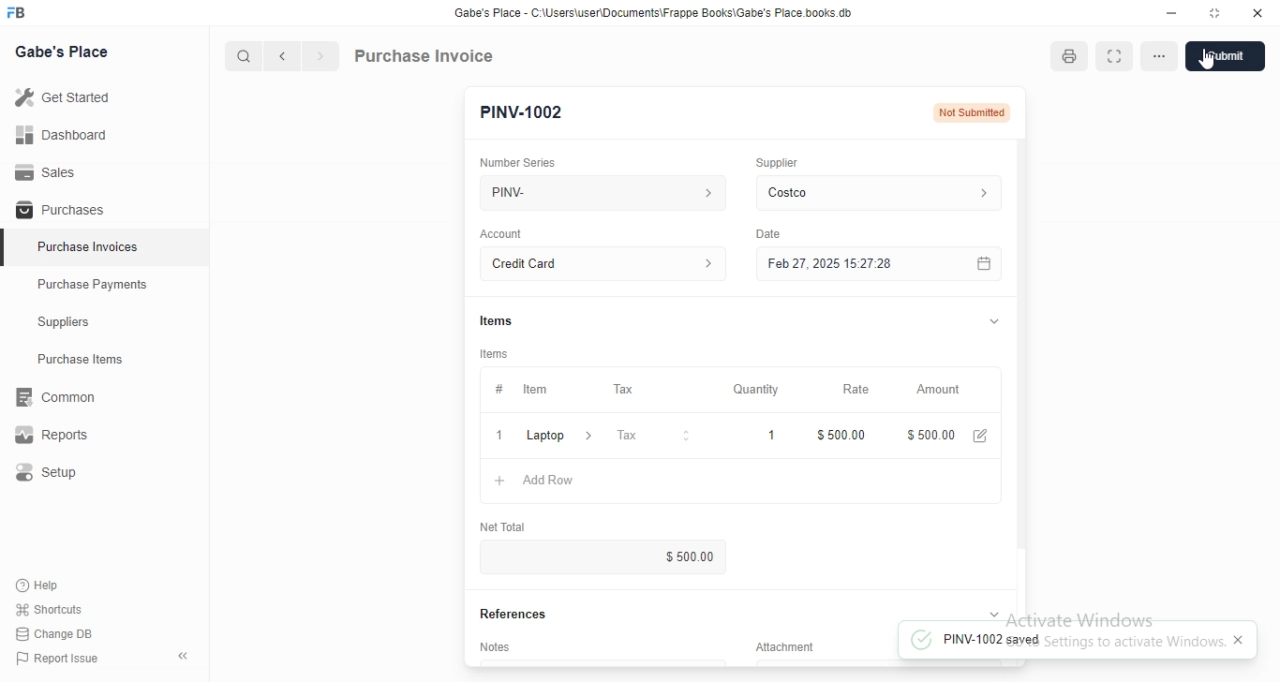 The height and width of the screenshot is (682, 1280). Describe the element at coordinates (544, 390) in the screenshot. I see `# Item` at that location.